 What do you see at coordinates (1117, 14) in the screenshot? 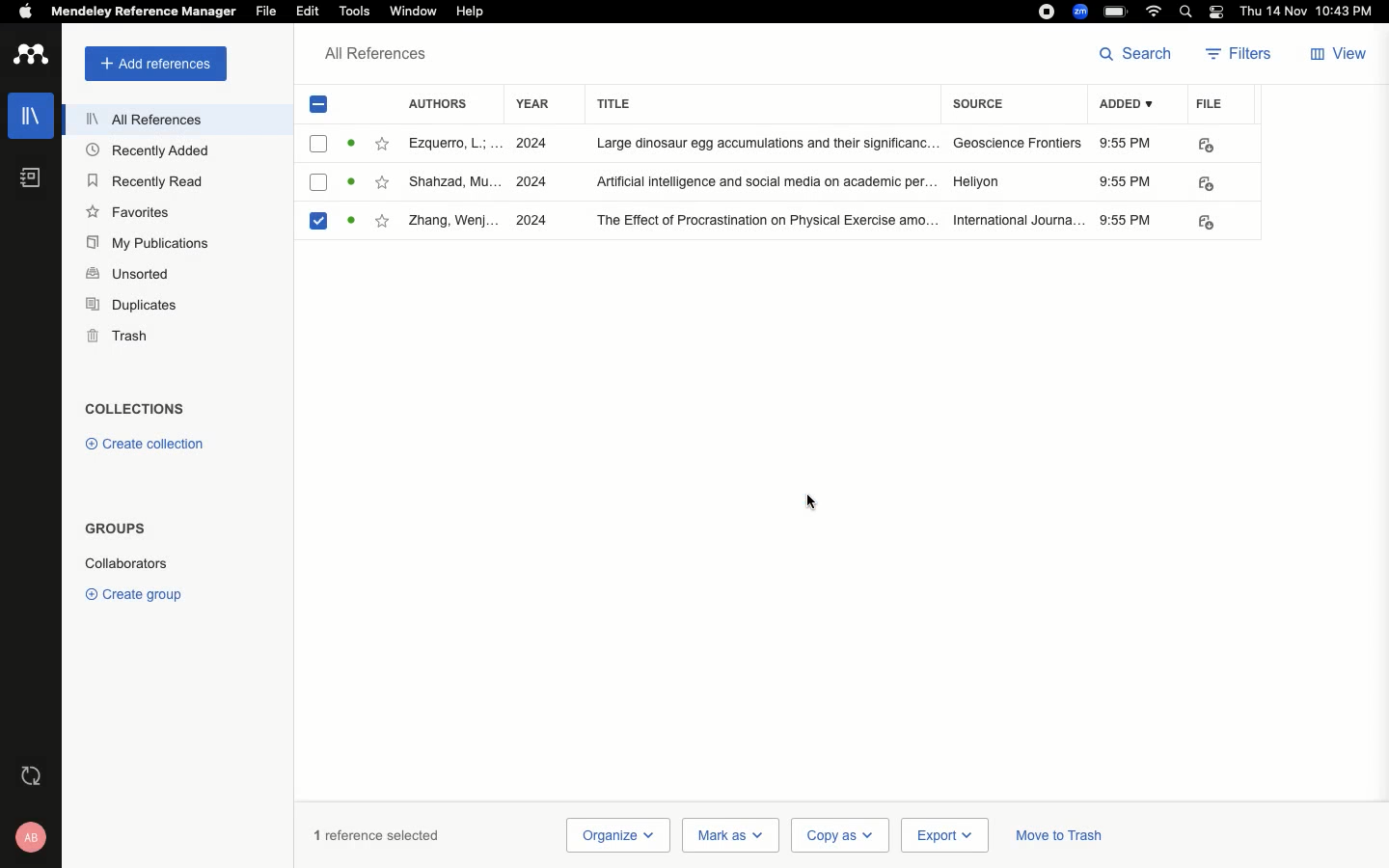
I see `Charge` at bounding box center [1117, 14].